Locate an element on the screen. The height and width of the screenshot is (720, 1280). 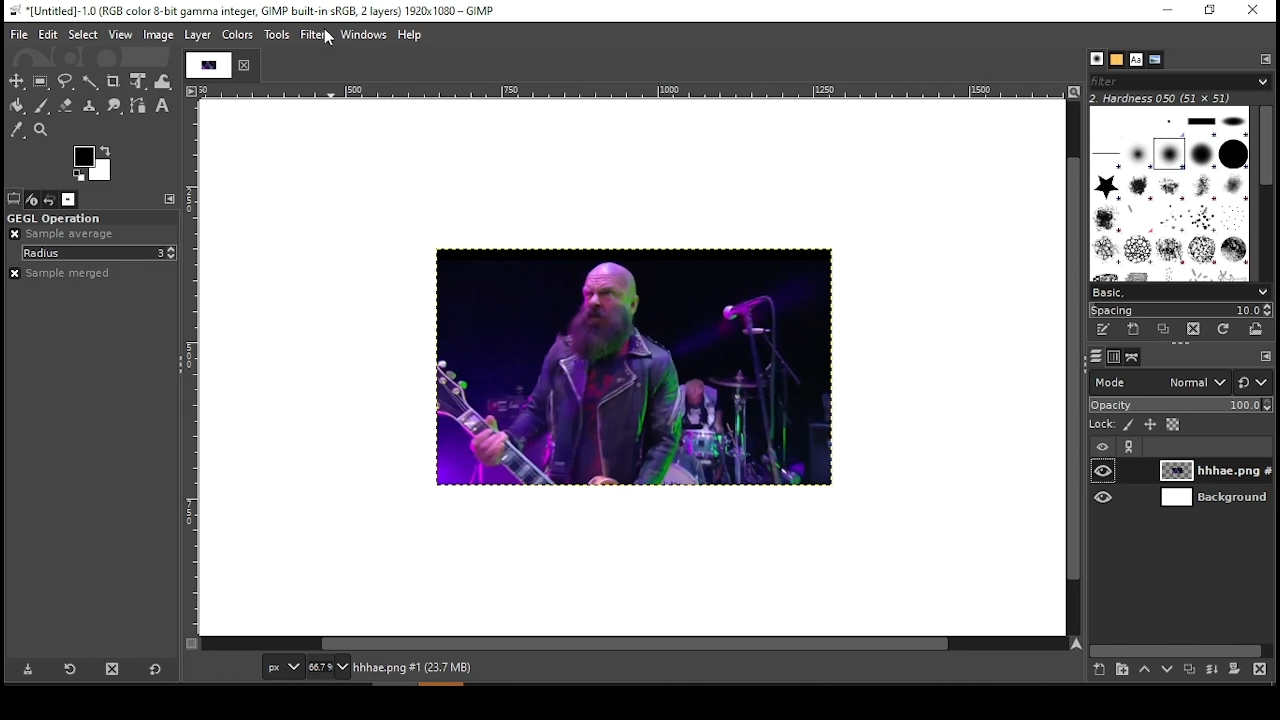
scroll bar is located at coordinates (1264, 193).